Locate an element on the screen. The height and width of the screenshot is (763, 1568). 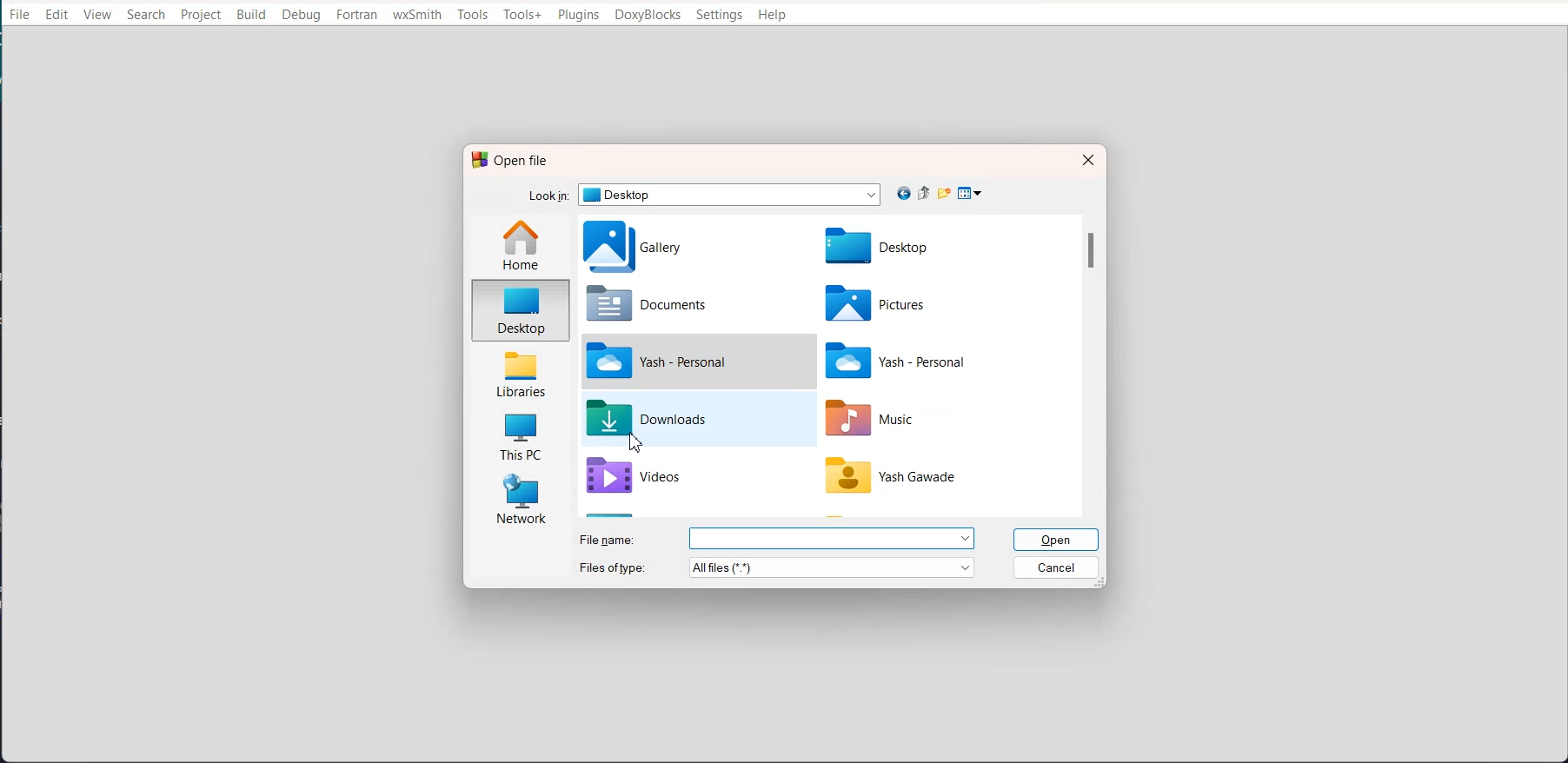
View is located at coordinates (100, 14).